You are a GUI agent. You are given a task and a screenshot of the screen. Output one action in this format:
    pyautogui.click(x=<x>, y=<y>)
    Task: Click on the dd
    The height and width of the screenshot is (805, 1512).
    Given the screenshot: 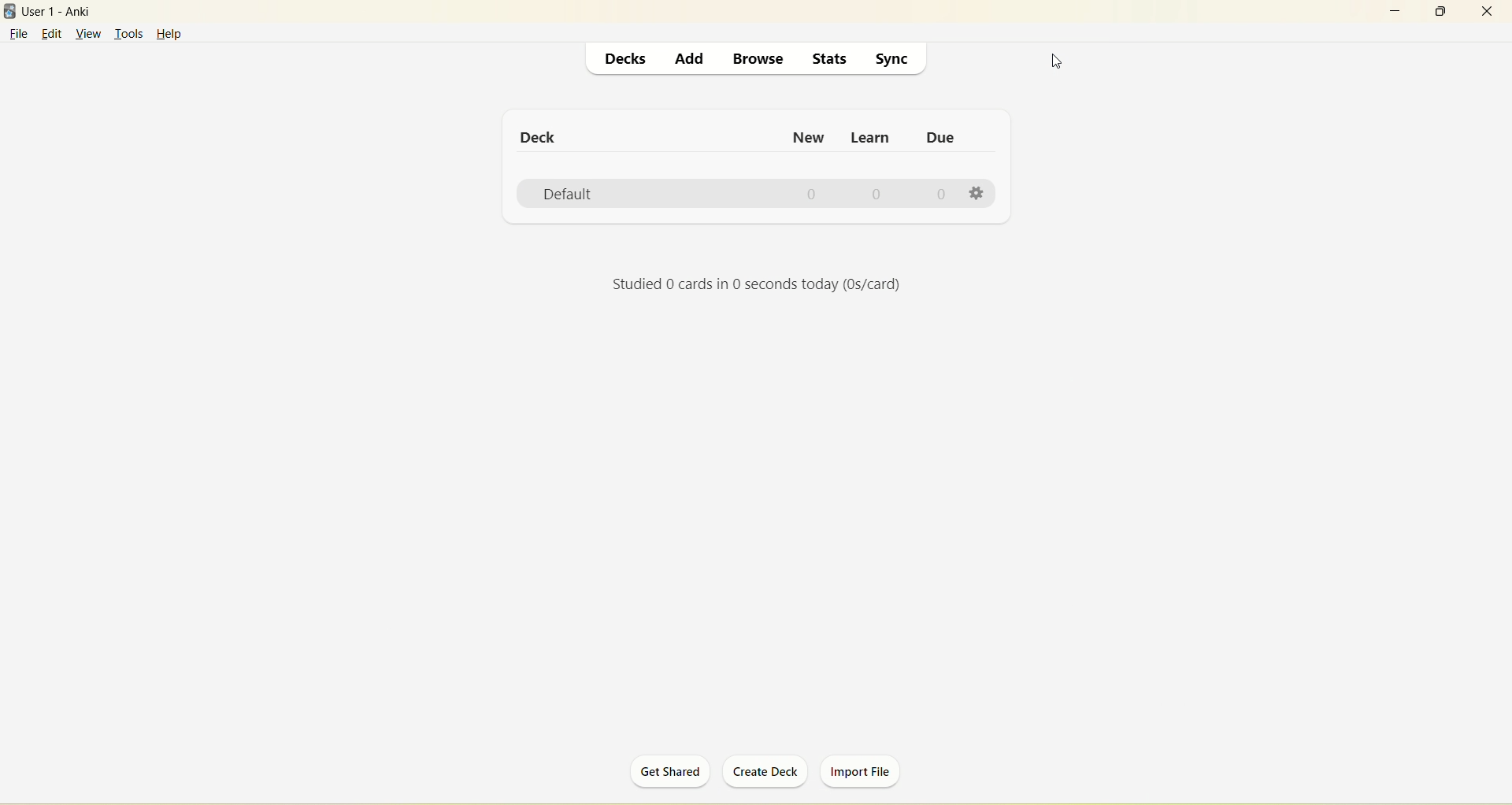 What is the action you would take?
    pyautogui.click(x=691, y=61)
    